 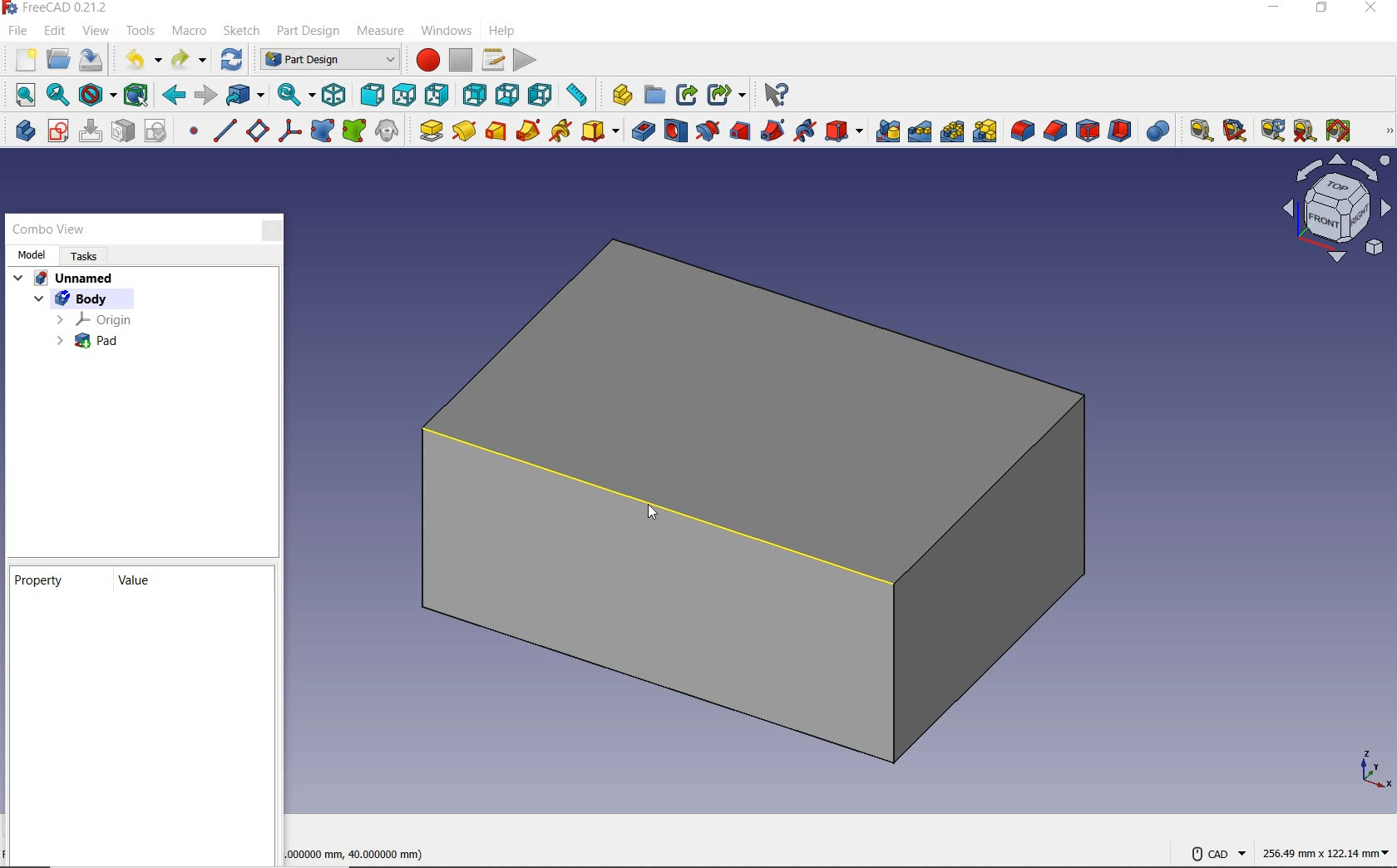 I want to click on measure linear, so click(x=1197, y=130).